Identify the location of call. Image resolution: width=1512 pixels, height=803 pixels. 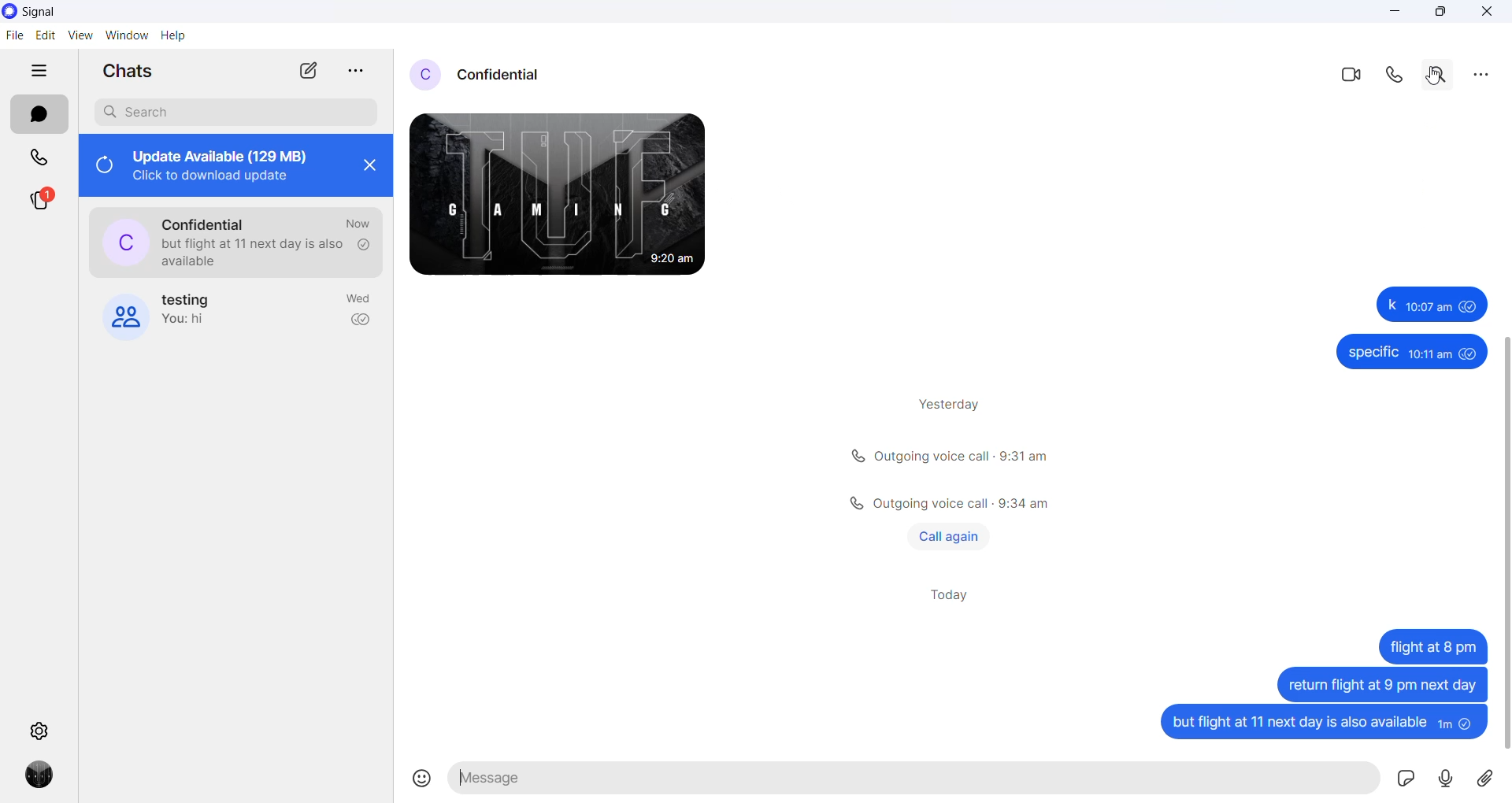
(1399, 75).